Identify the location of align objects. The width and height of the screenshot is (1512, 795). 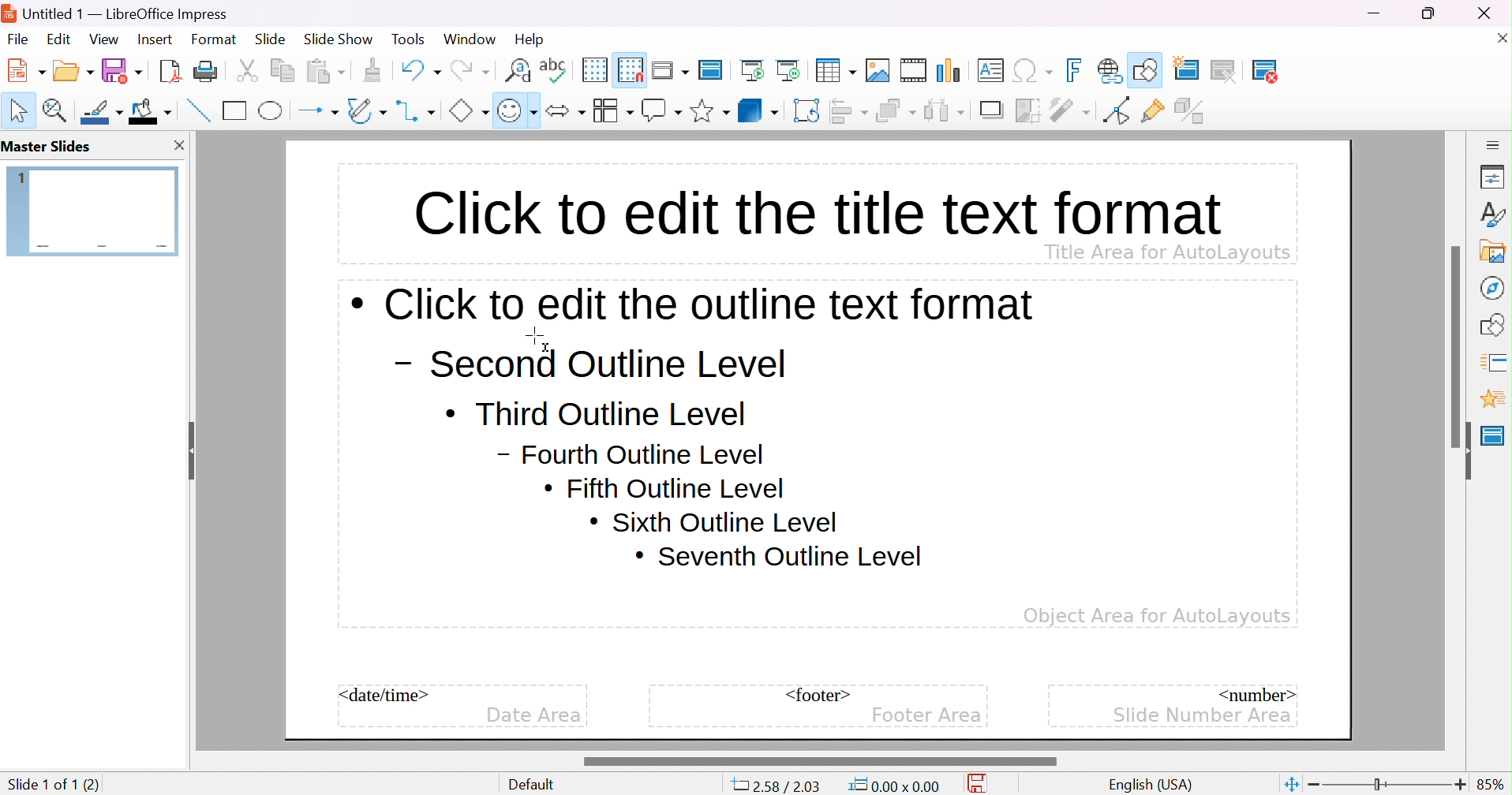
(851, 110).